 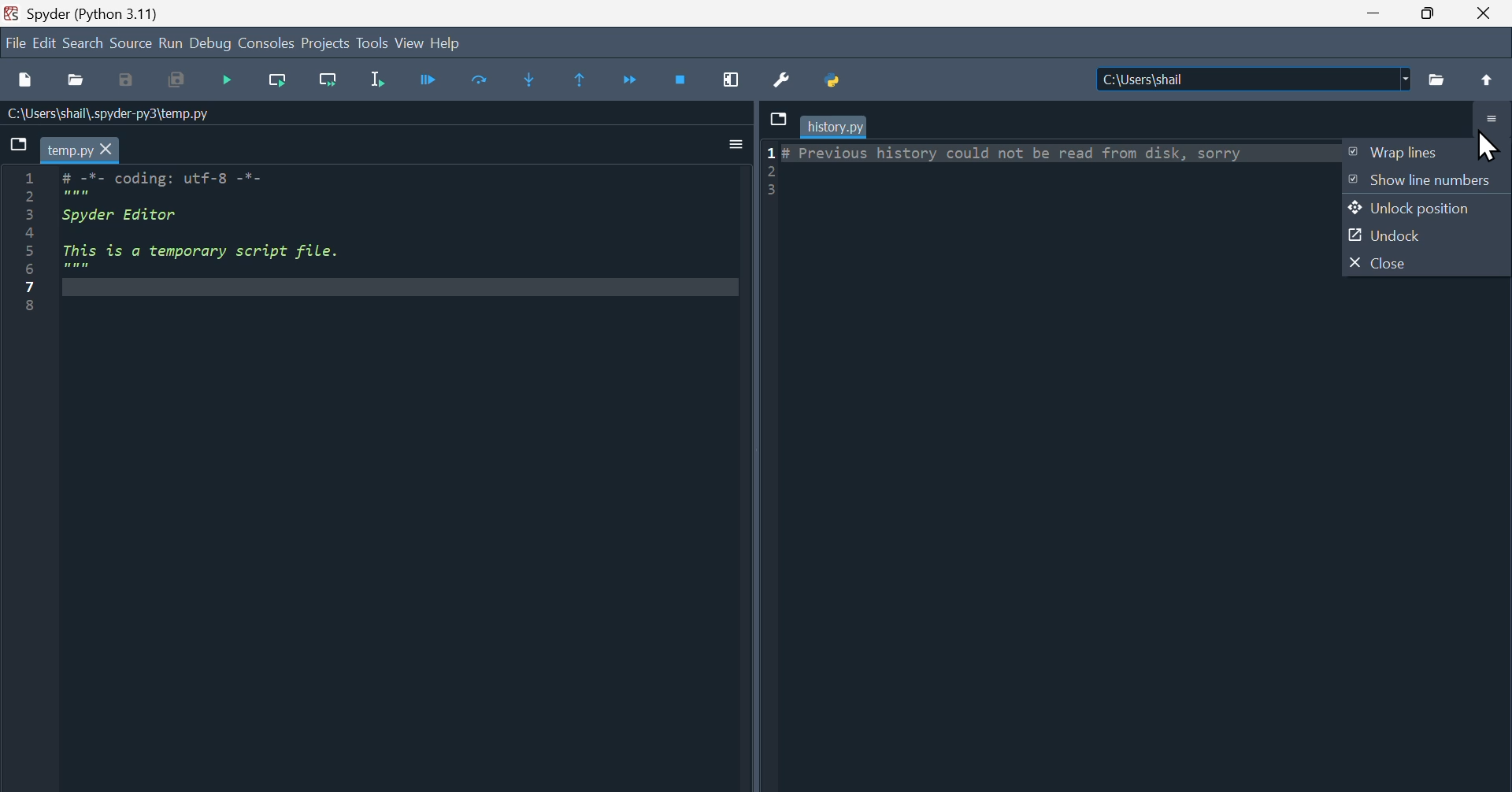 What do you see at coordinates (325, 43) in the screenshot?
I see `Project` at bounding box center [325, 43].